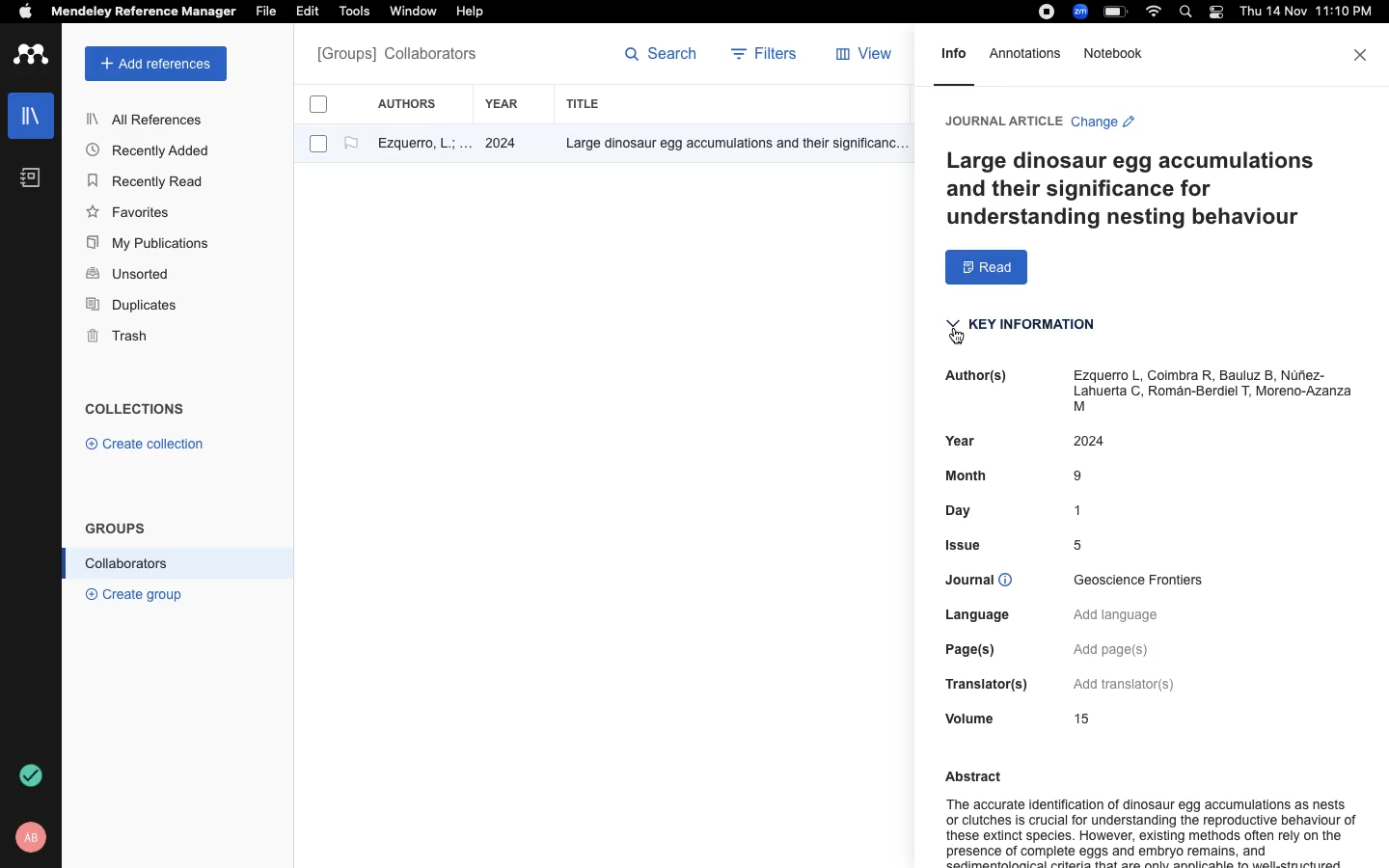 This screenshot has width=1389, height=868. I want to click on abstract, so click(1149, 831).